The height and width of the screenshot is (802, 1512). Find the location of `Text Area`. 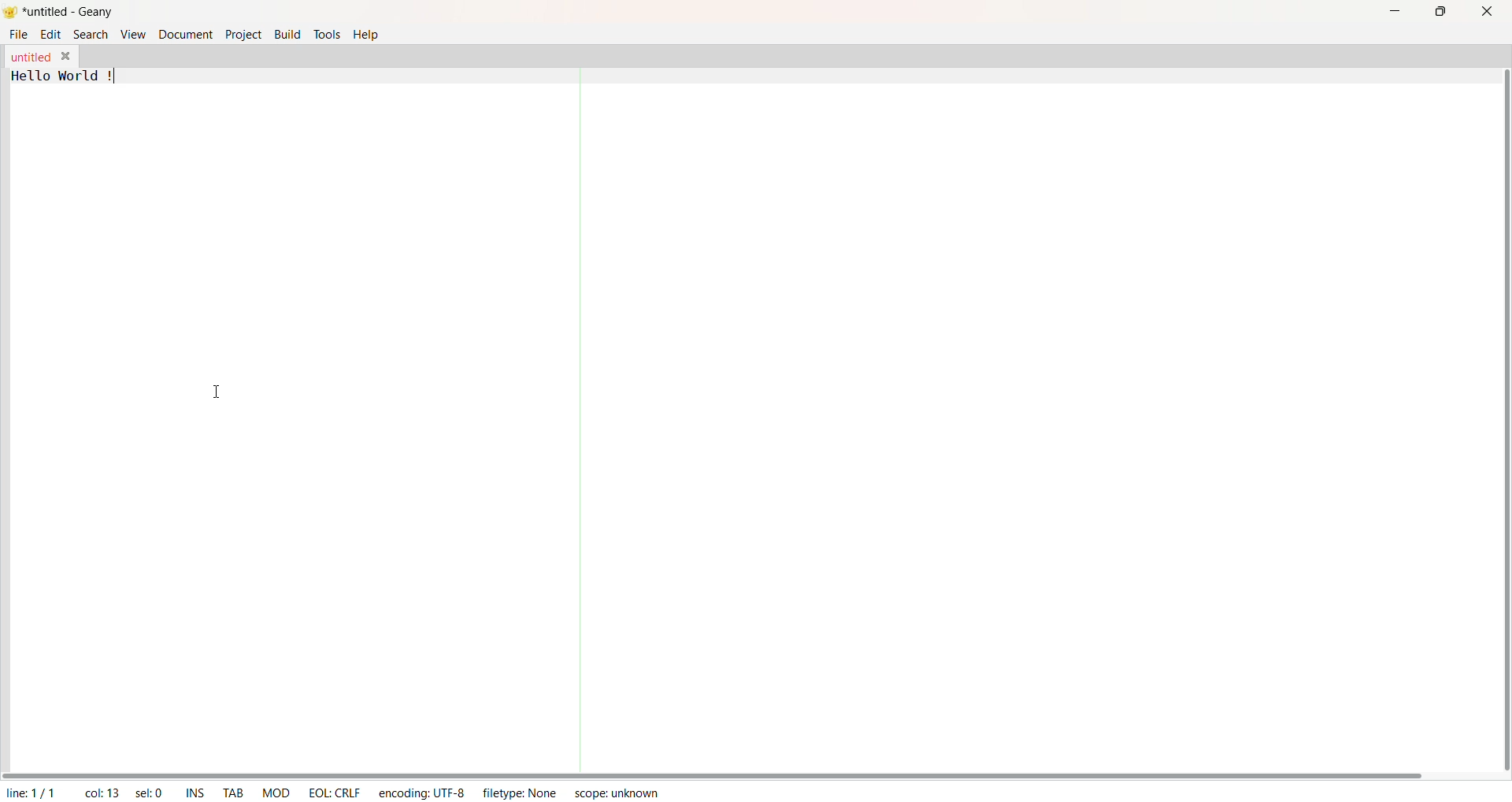

Text Area is located at coordinates (719, 418).